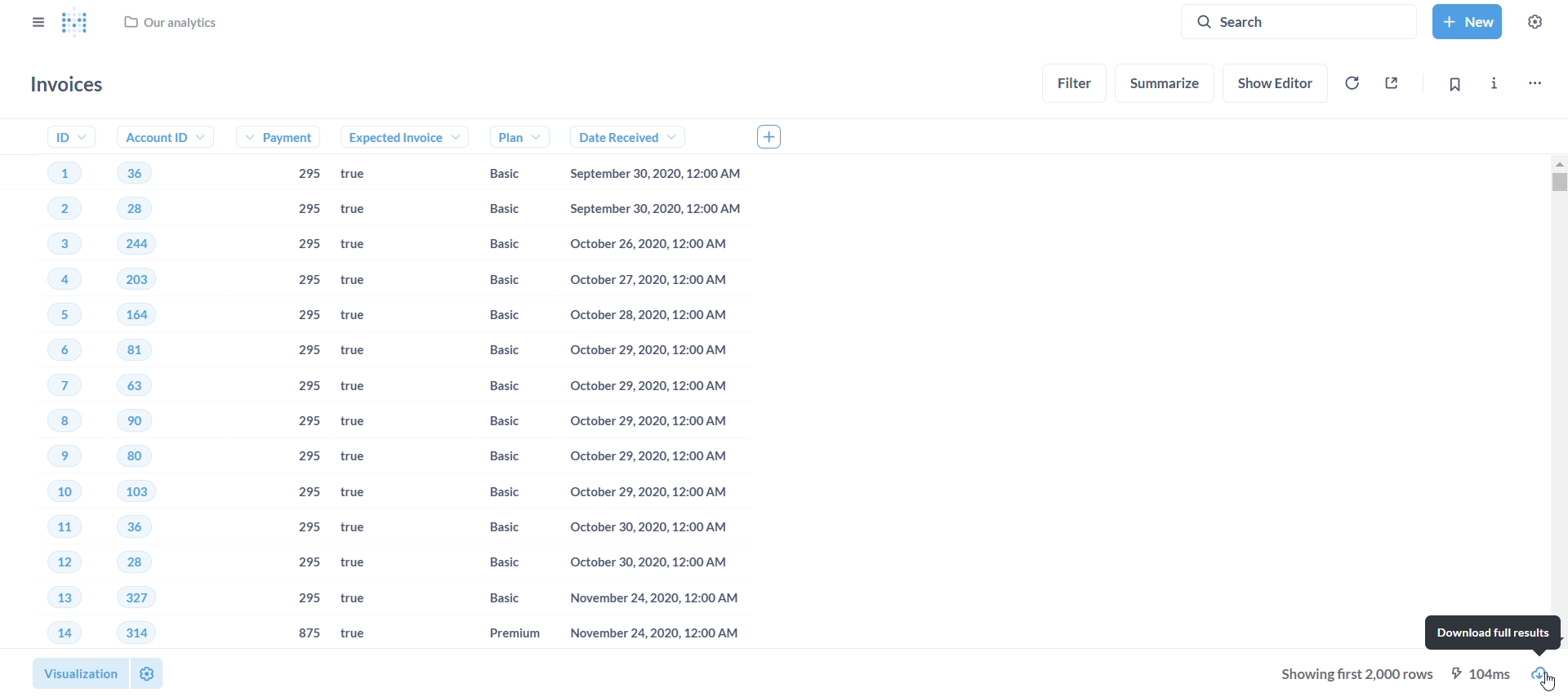 The height and width of the screenshot is (697, 1568). I want to click on filter, so click(1076, 82).